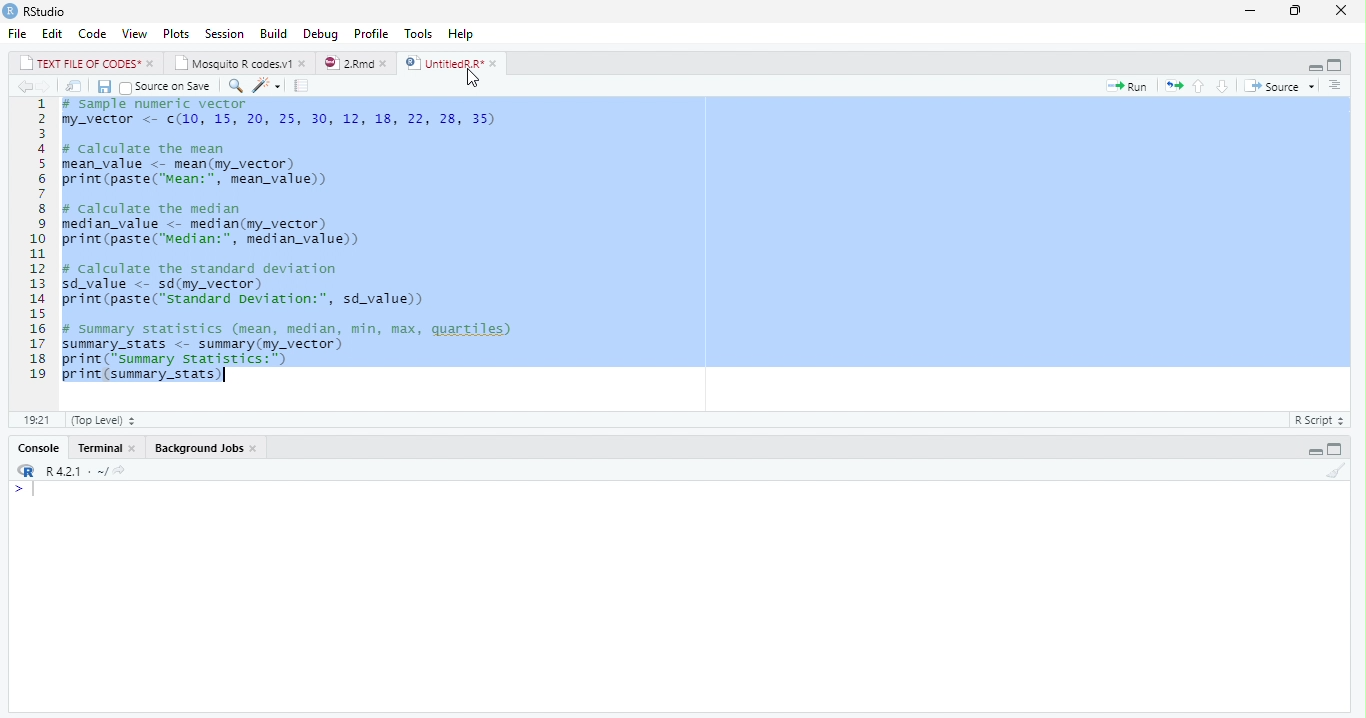 This screenshot has height=718, width=1366. What do you see at coordinates (274, 35) in the screenshot?
I see `build` at bounding box center [274, 35].